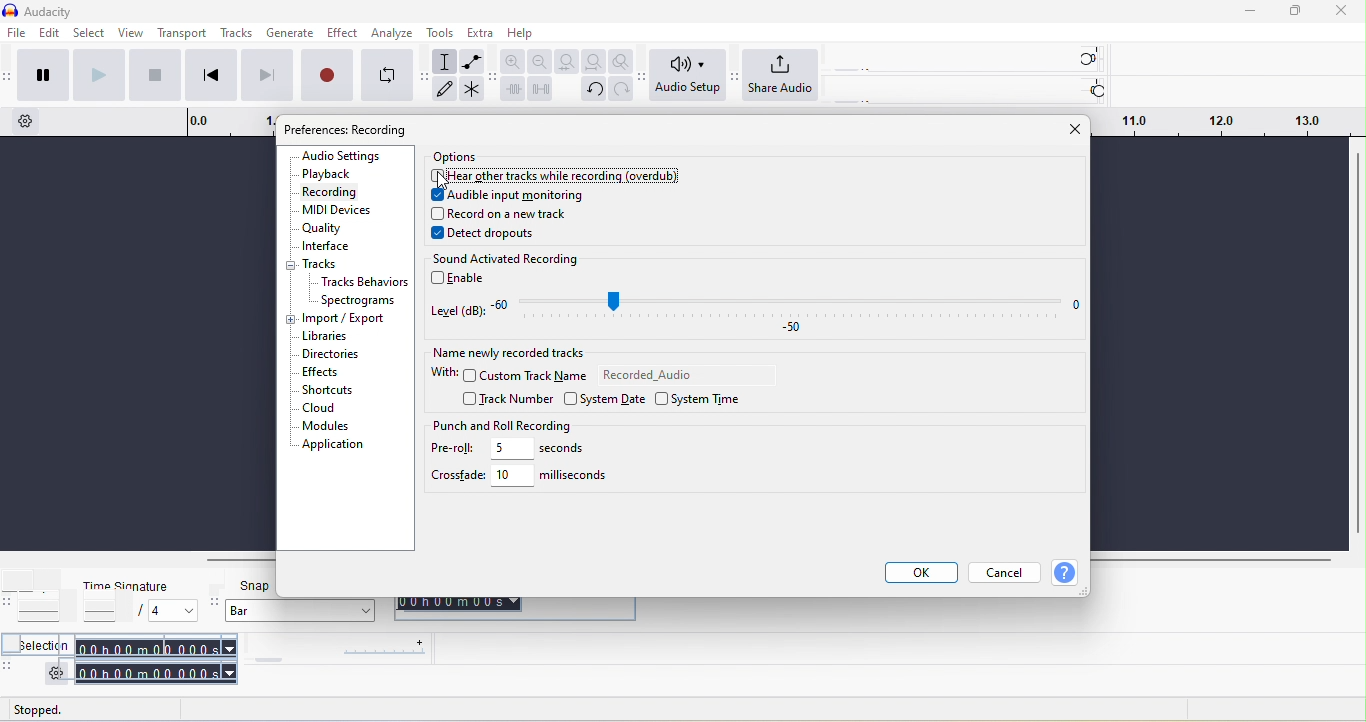 The width and height of the screenshot is (1366, 722). What do you see at coordinates (57, 11) in the screenshot?
I see `title` at bounding box center [57, 11].